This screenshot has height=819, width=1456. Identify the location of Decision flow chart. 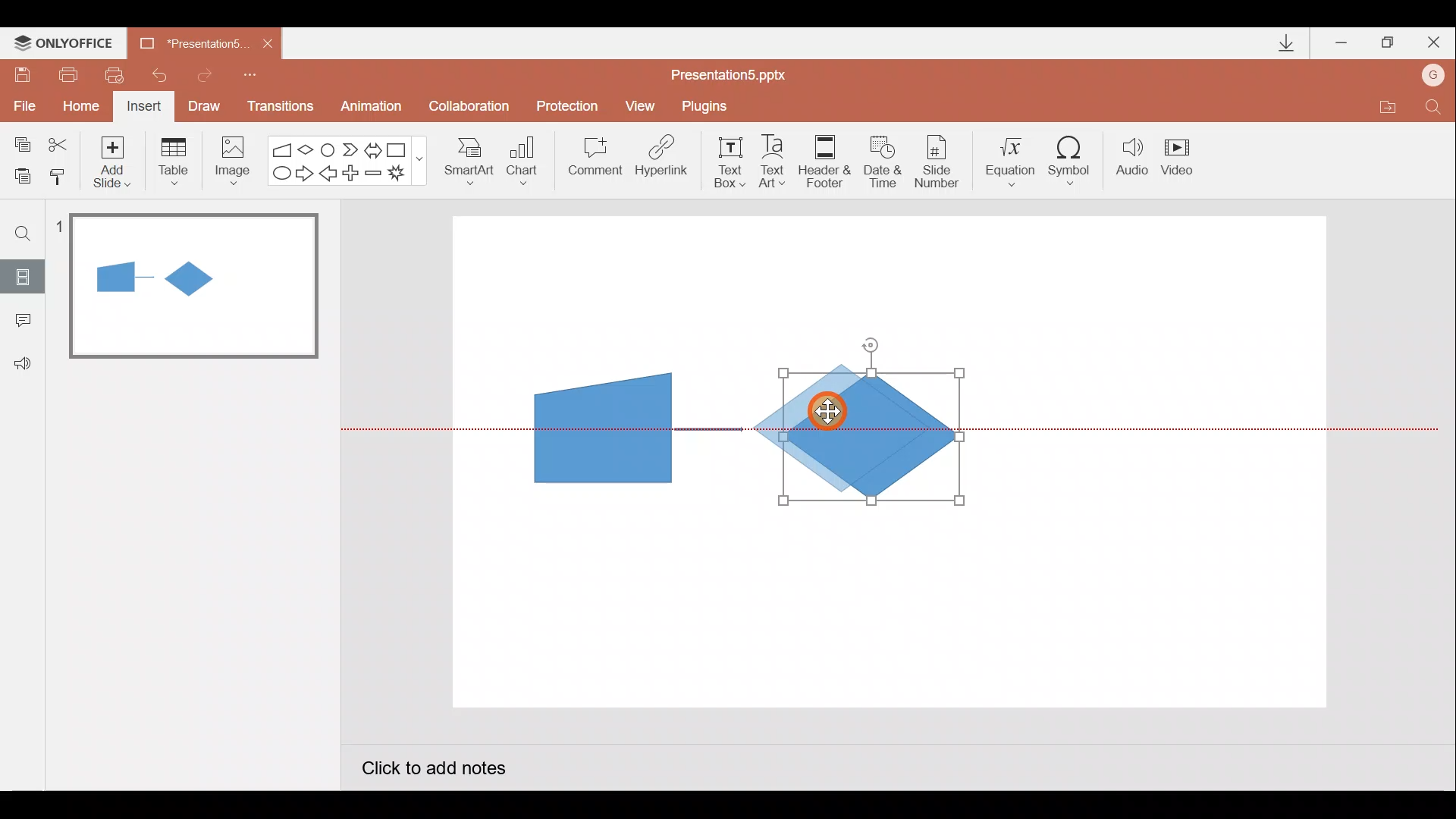
(870, 439).